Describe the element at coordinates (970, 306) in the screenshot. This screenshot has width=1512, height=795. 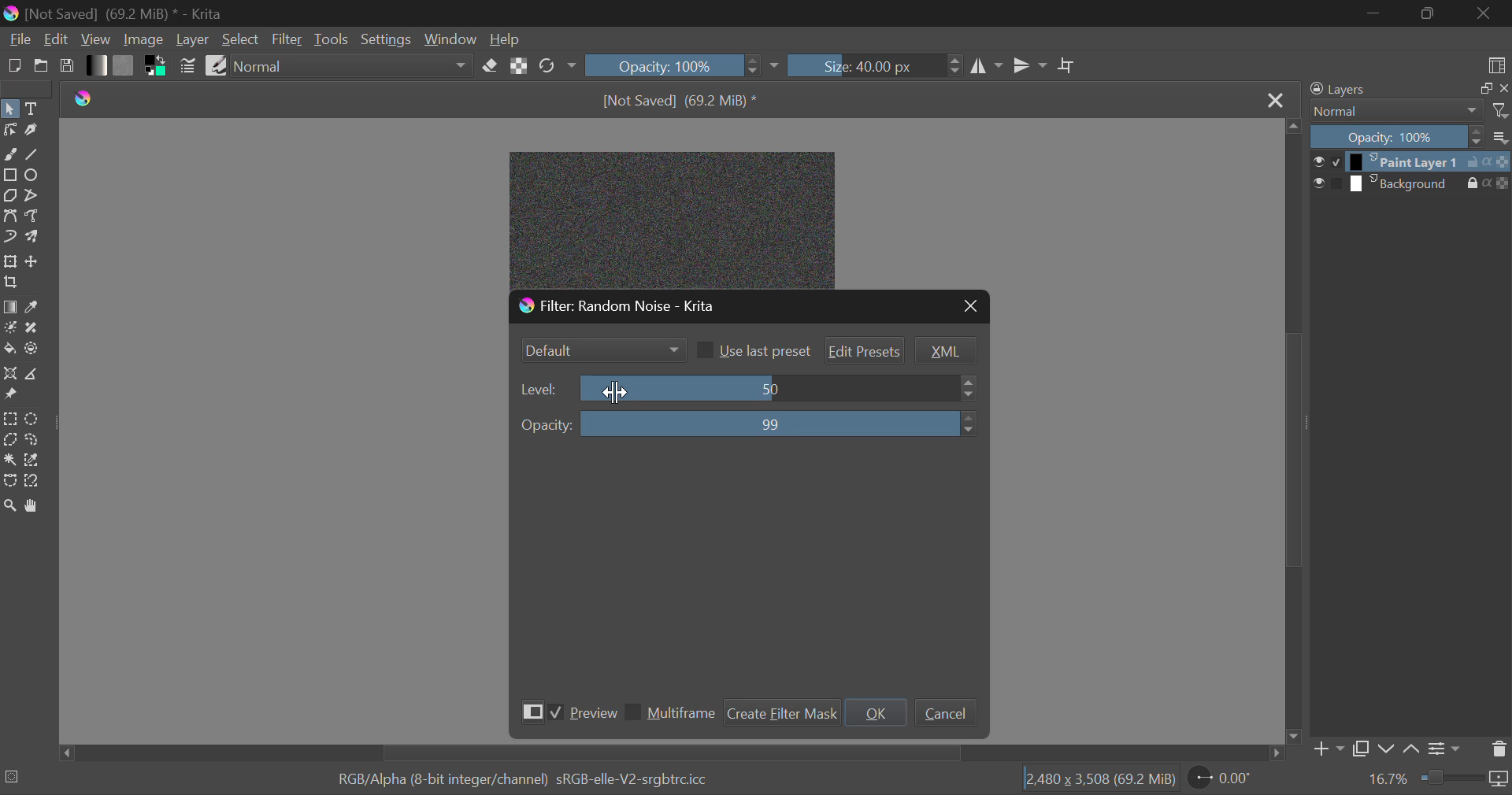
I see `Close` at that location.